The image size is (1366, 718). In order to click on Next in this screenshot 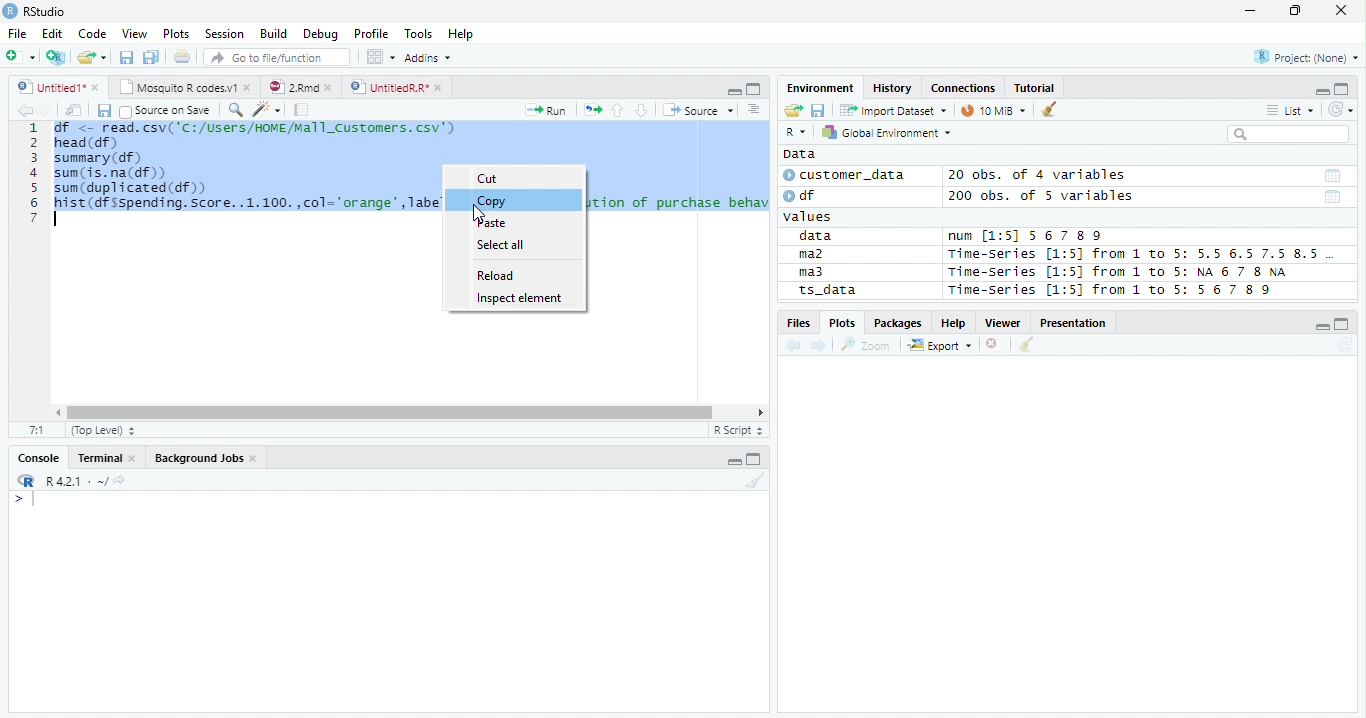, I will do `click(820, 347)`.